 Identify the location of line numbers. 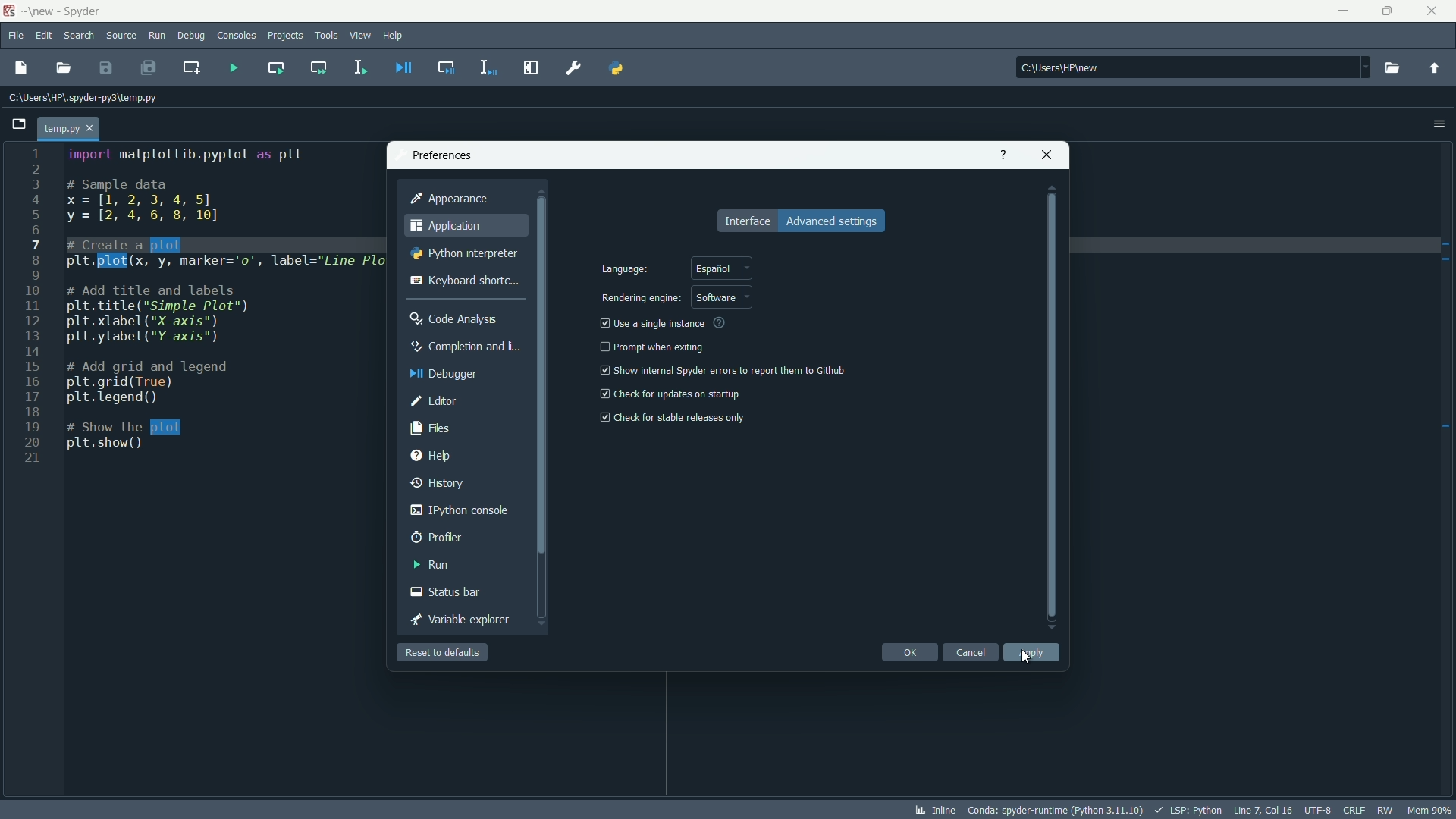
(33, 309).